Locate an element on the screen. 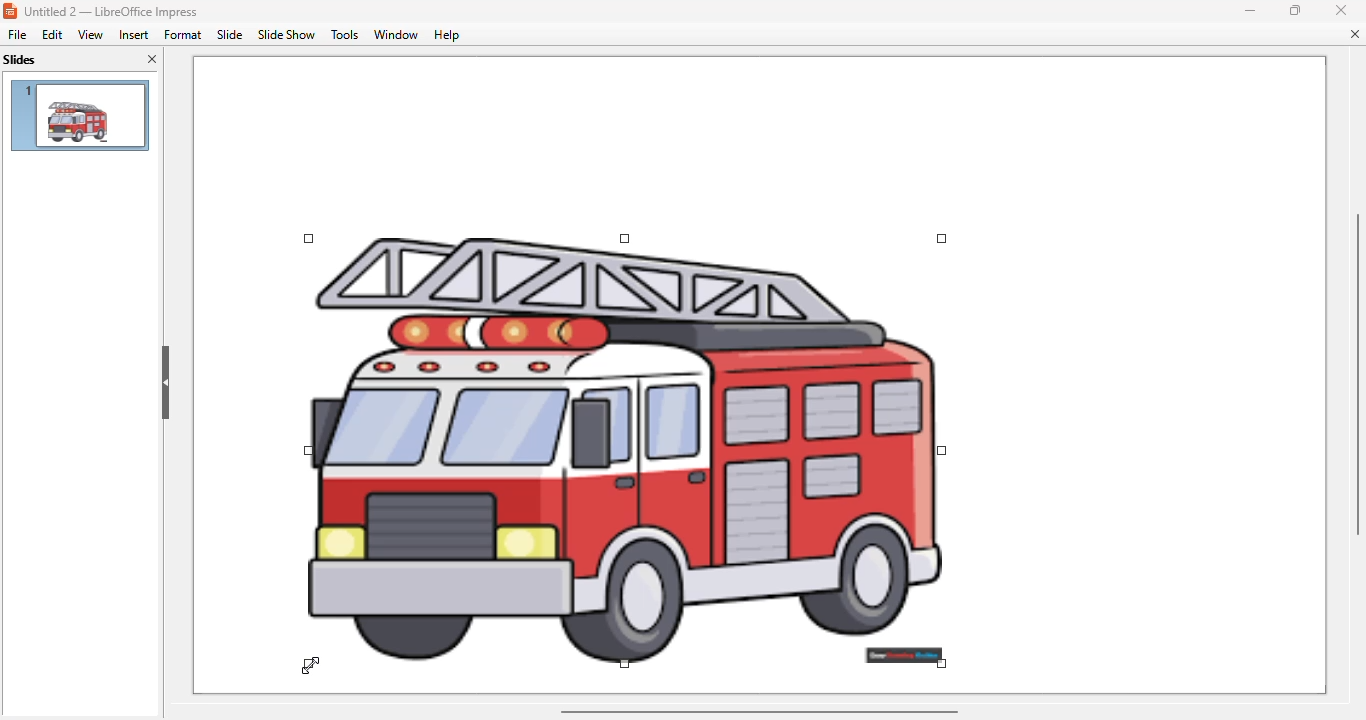 The height and width of the screenshot is (720, 1366). horizontal scroll bar is located at coordinates (759, 712).